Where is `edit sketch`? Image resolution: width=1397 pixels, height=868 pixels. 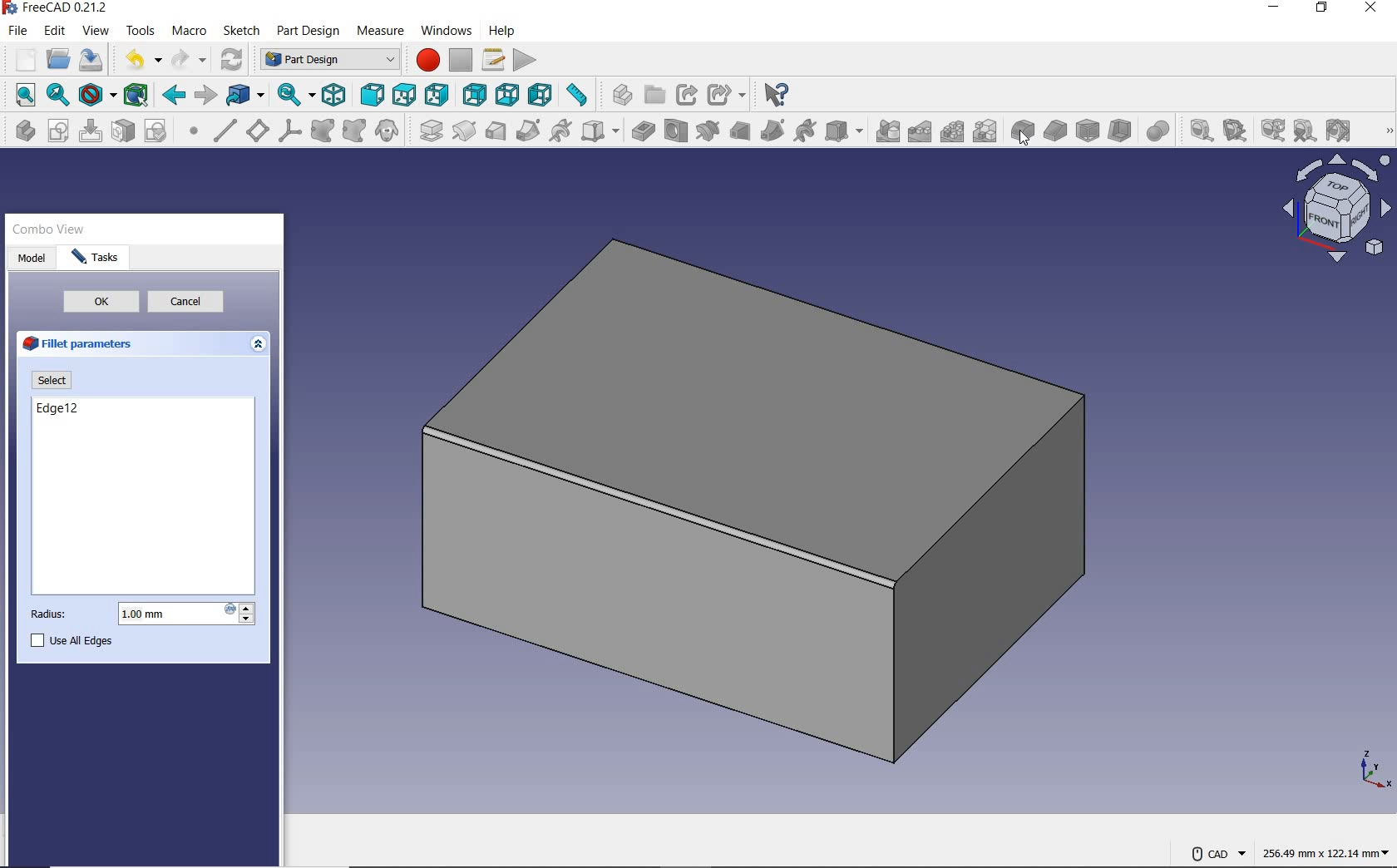
edit sketch is located at coordinates (90, 131).